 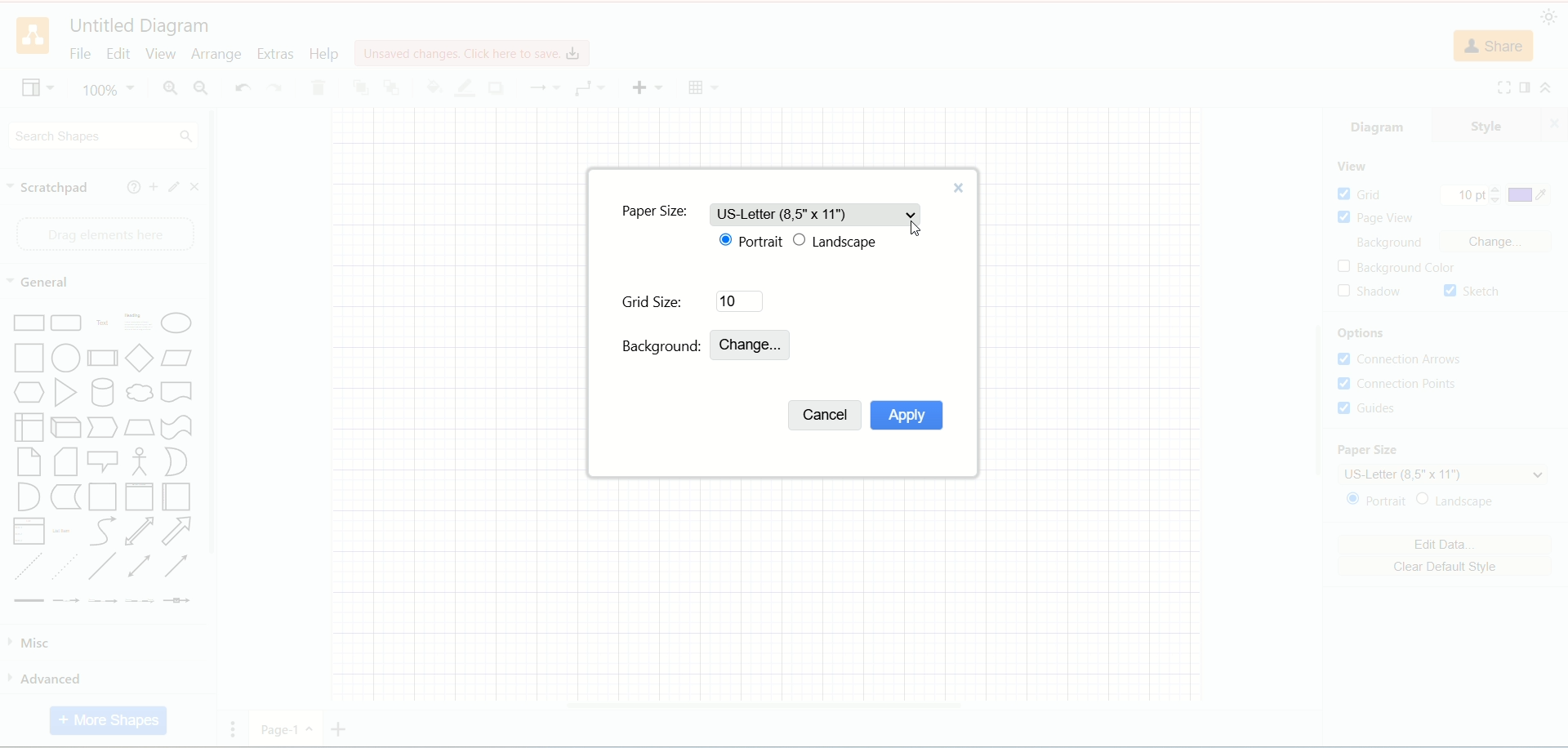 What do you see at coordinates (167, 89) in the screenshot?
I see `zoom in` at bounding box center [167, 89].